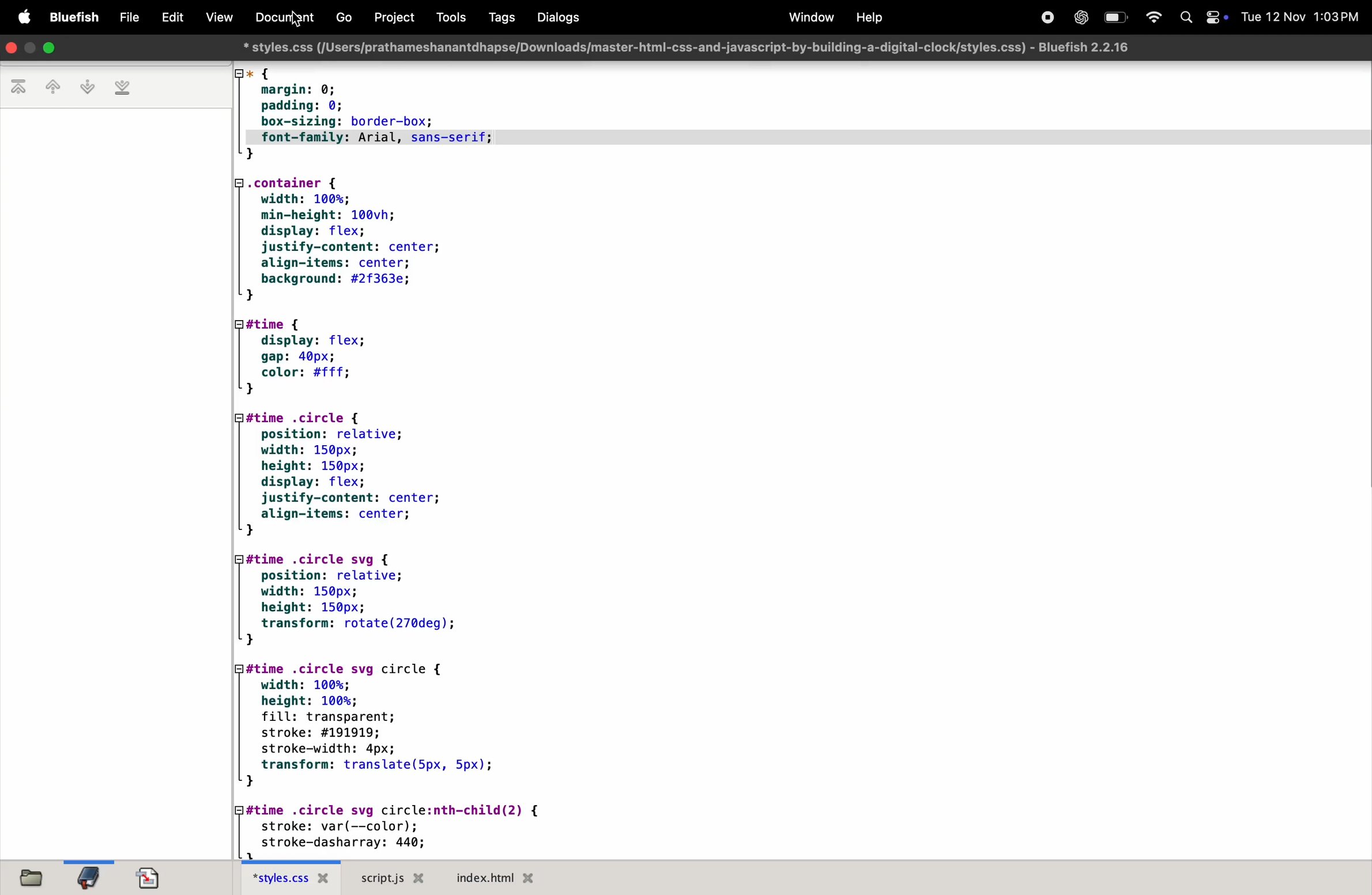  Describe the element at coordinates (1081, 17) in the screenshot. I see `Chatgpt` at that location.